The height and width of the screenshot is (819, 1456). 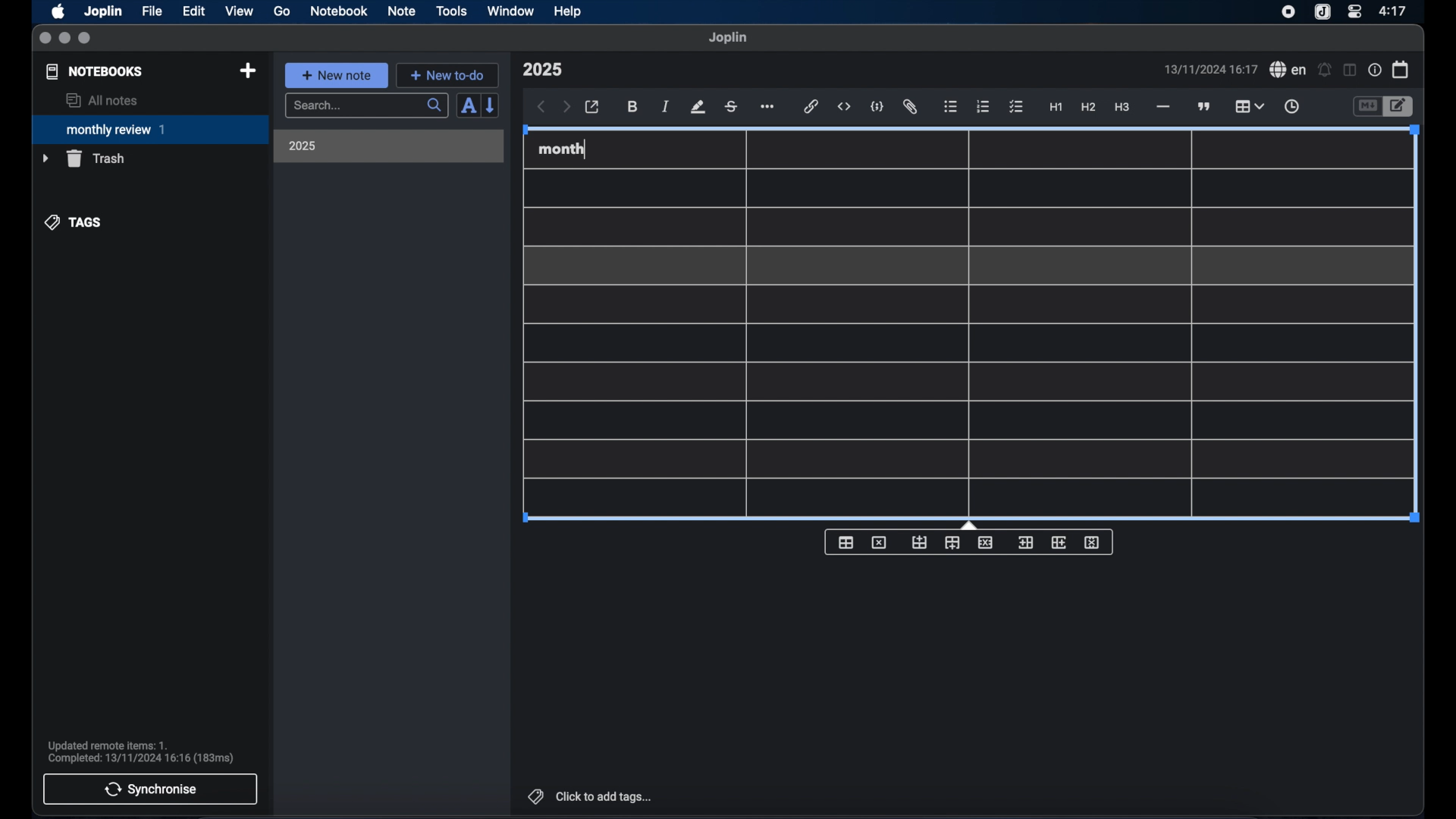 I want to click on trash, so click(x=83, y=158).